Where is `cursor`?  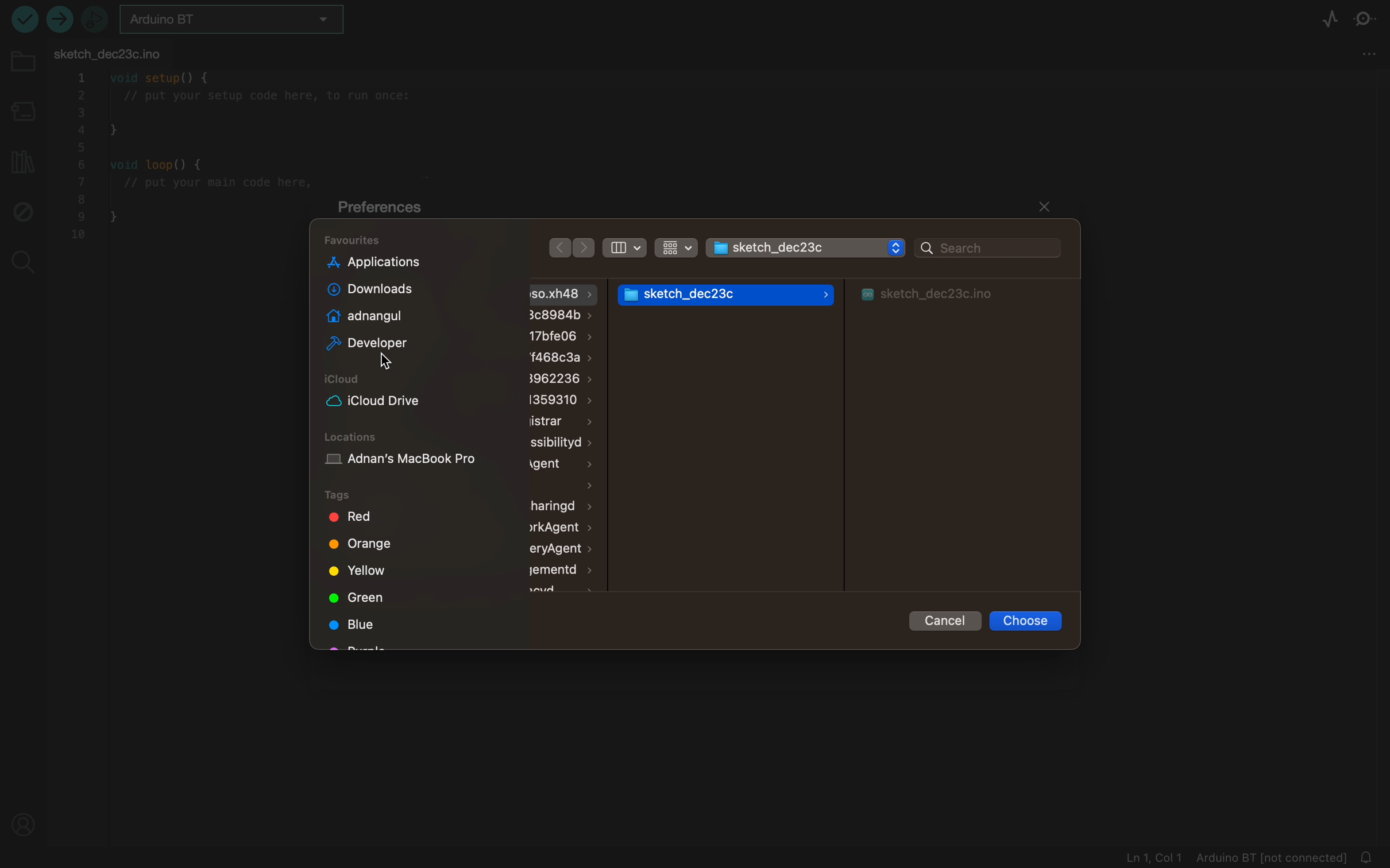 cursor is located at coordinates (391, 360).